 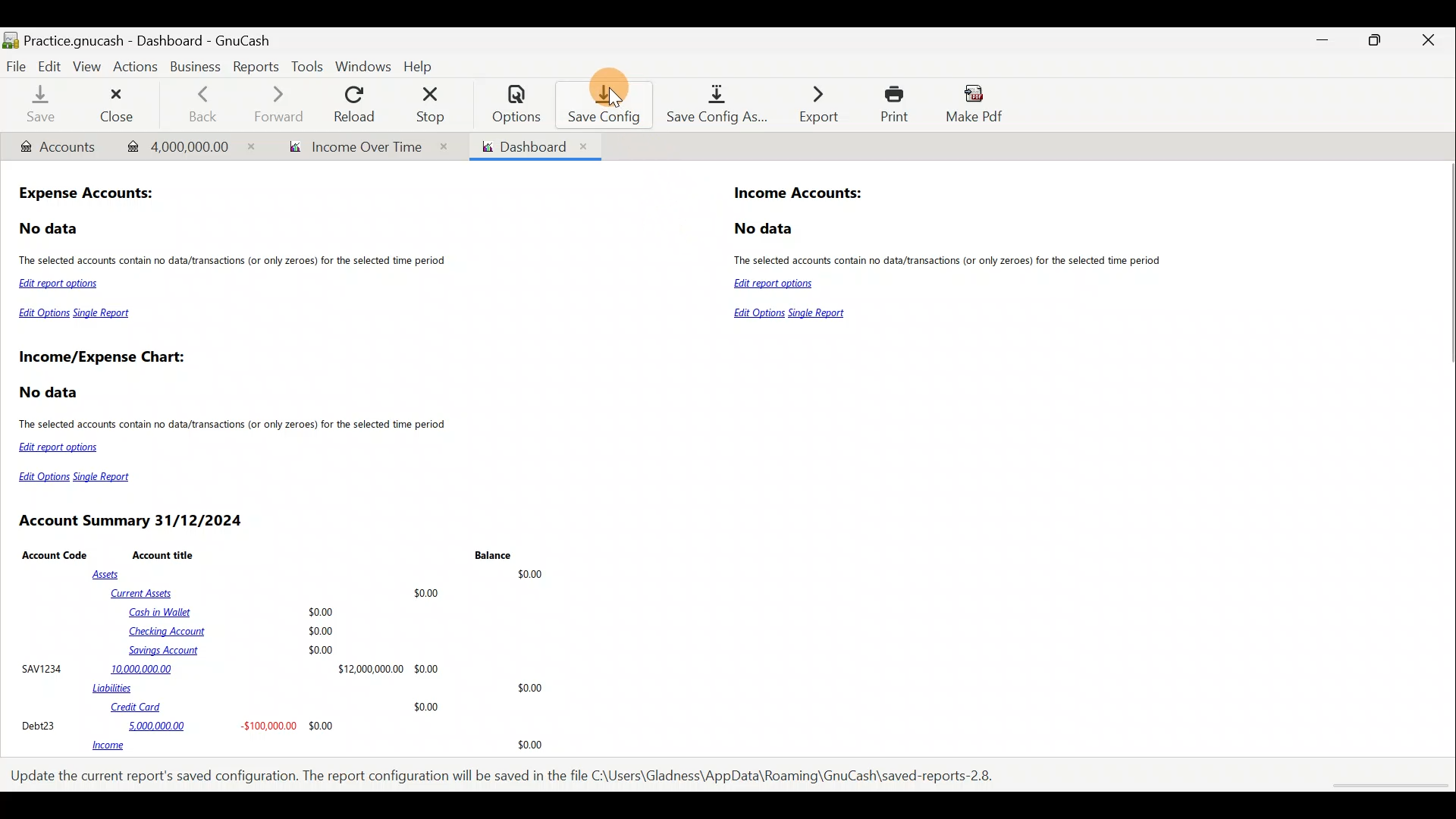 I want to click on Edit, so click(x=49, y=65).